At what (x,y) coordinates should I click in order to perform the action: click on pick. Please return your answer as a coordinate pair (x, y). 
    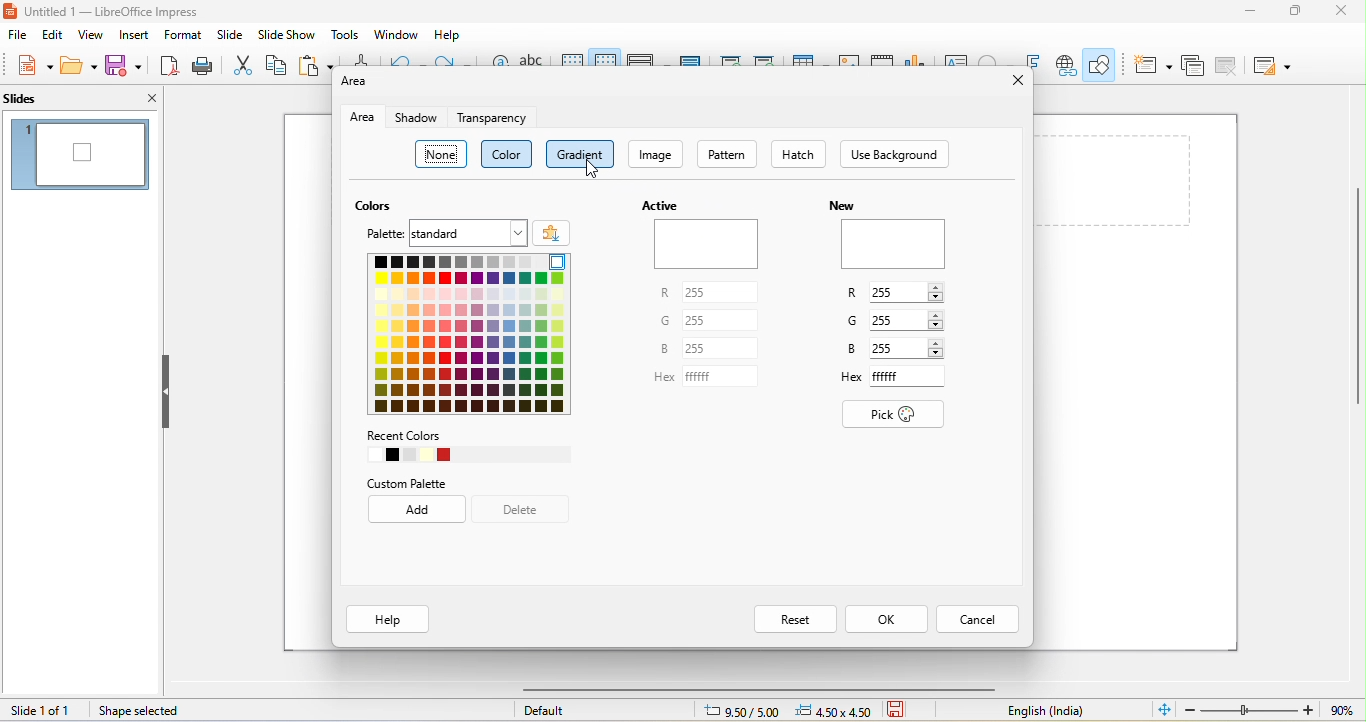
    Looking at the image, I should click on (903, 416).